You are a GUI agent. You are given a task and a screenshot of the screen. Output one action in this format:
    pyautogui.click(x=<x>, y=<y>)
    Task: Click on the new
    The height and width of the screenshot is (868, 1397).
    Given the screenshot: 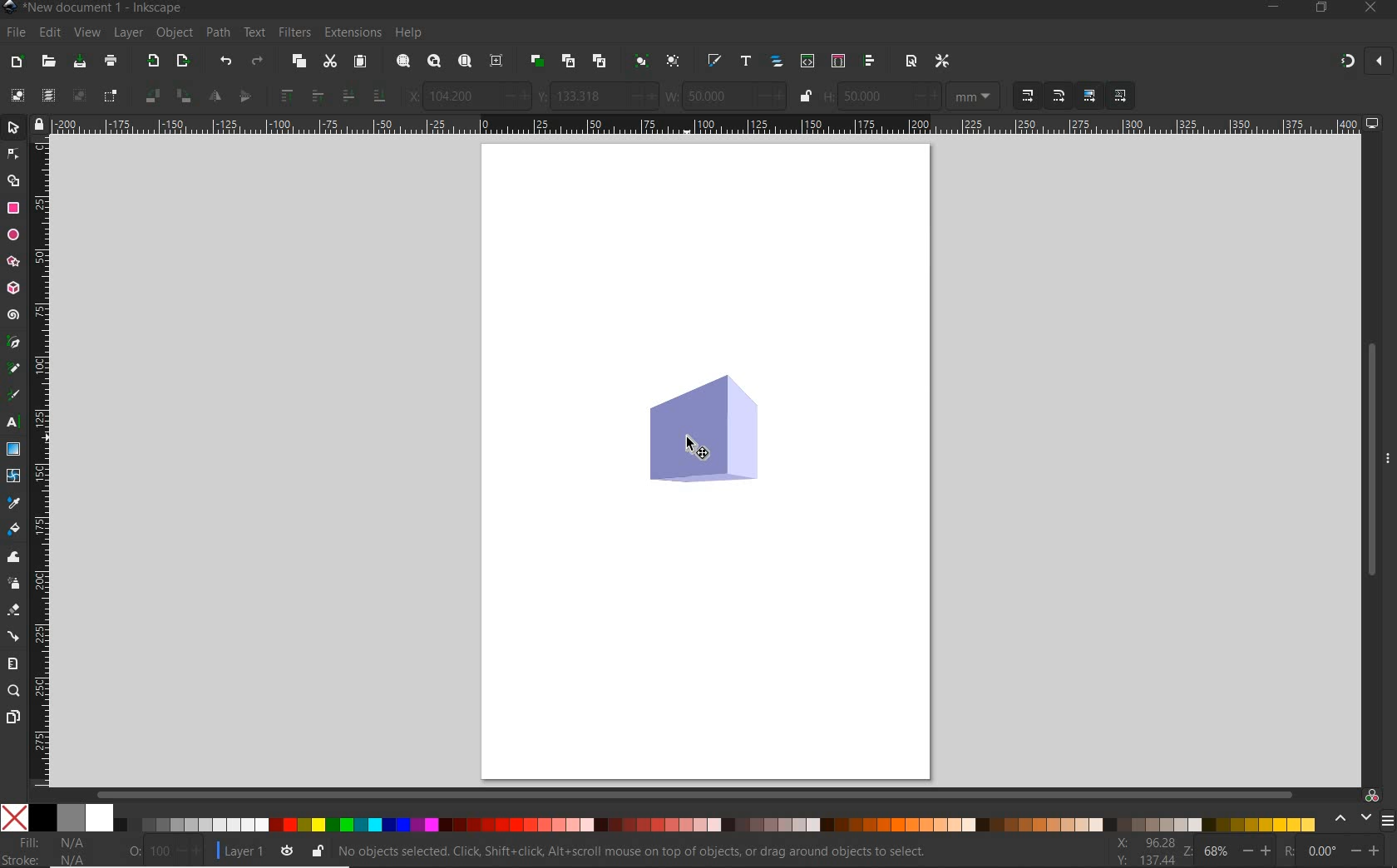 What is the action you would take?
    pyautogui.click(x=15, y=61)
    